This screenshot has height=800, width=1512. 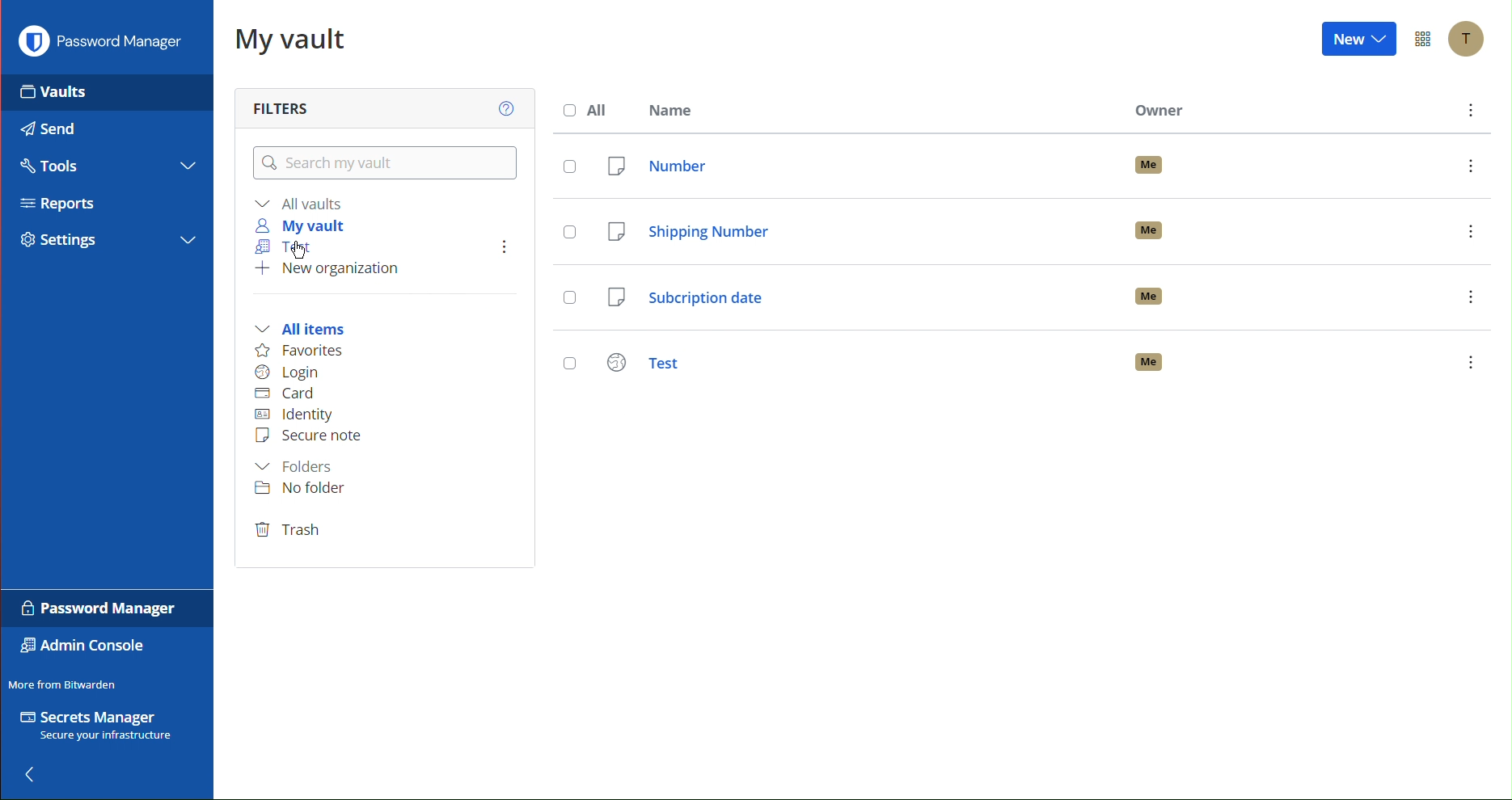 I want to click on Account, so click(x=1470, y=38).